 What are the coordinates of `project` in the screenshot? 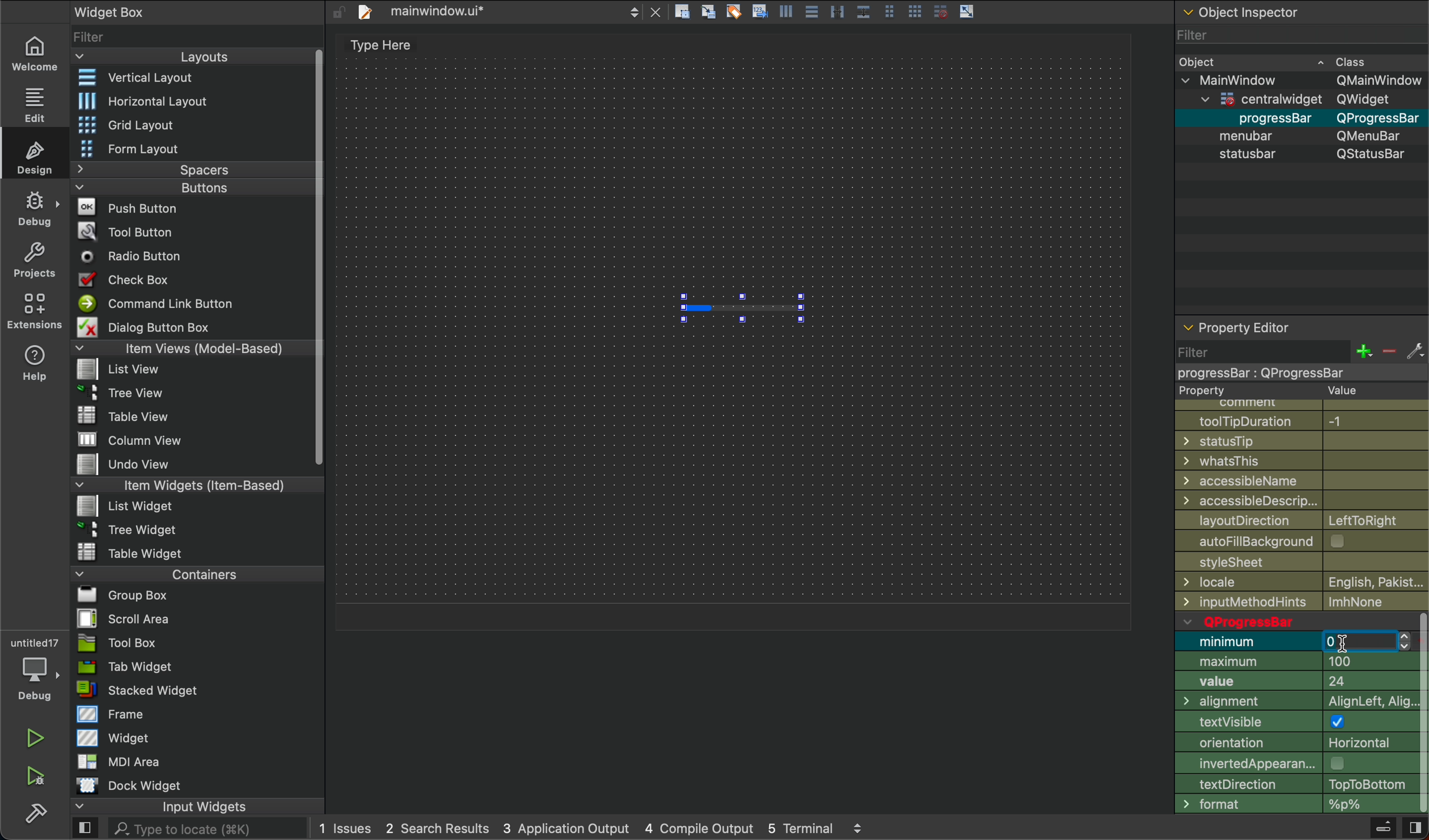 It's located at (36, 260).